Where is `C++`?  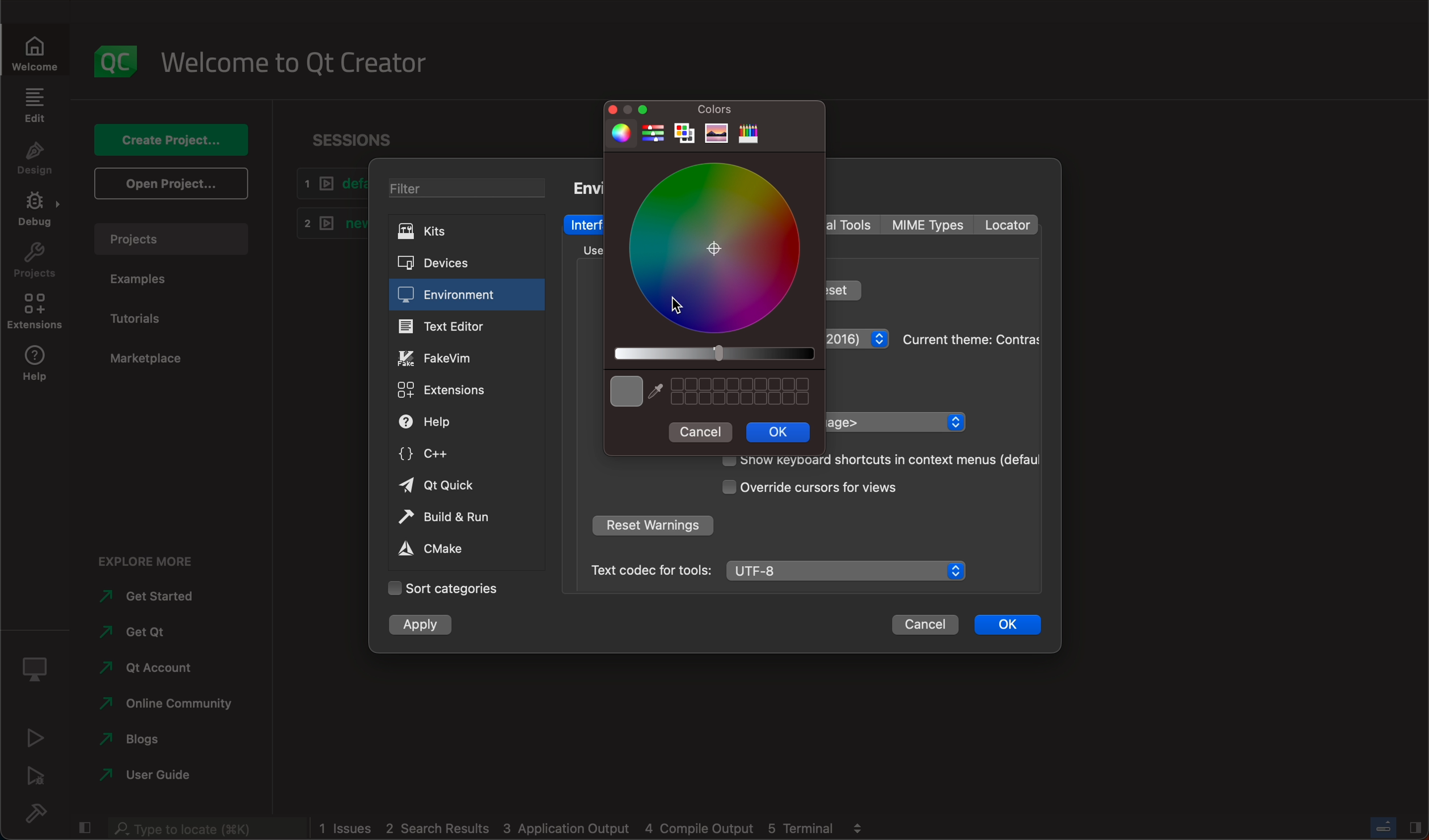
C++ is located at coordinates (462, 452).